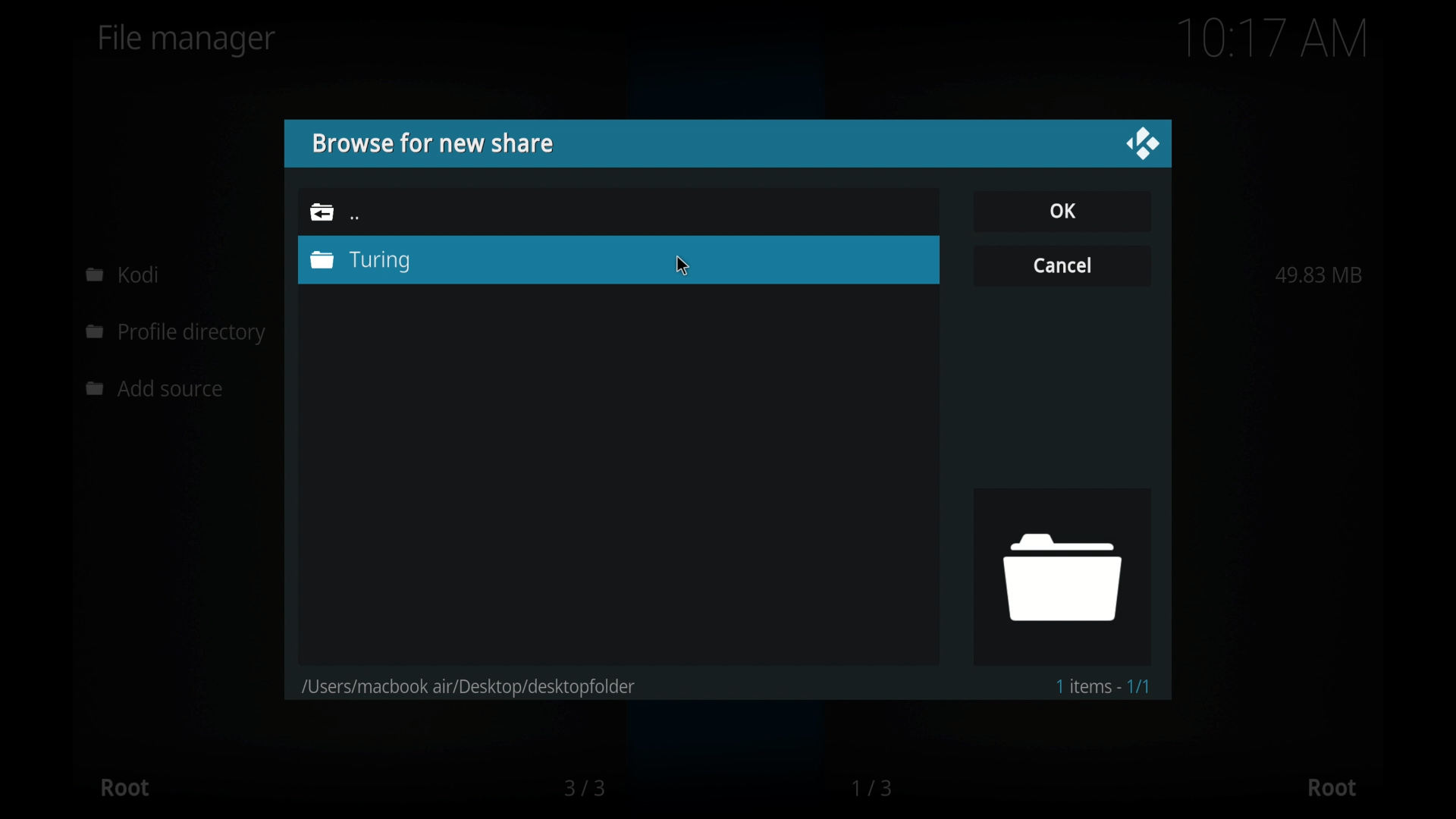 The image size is (1456, 819). I want to click on profile directory, so click(179, 334).